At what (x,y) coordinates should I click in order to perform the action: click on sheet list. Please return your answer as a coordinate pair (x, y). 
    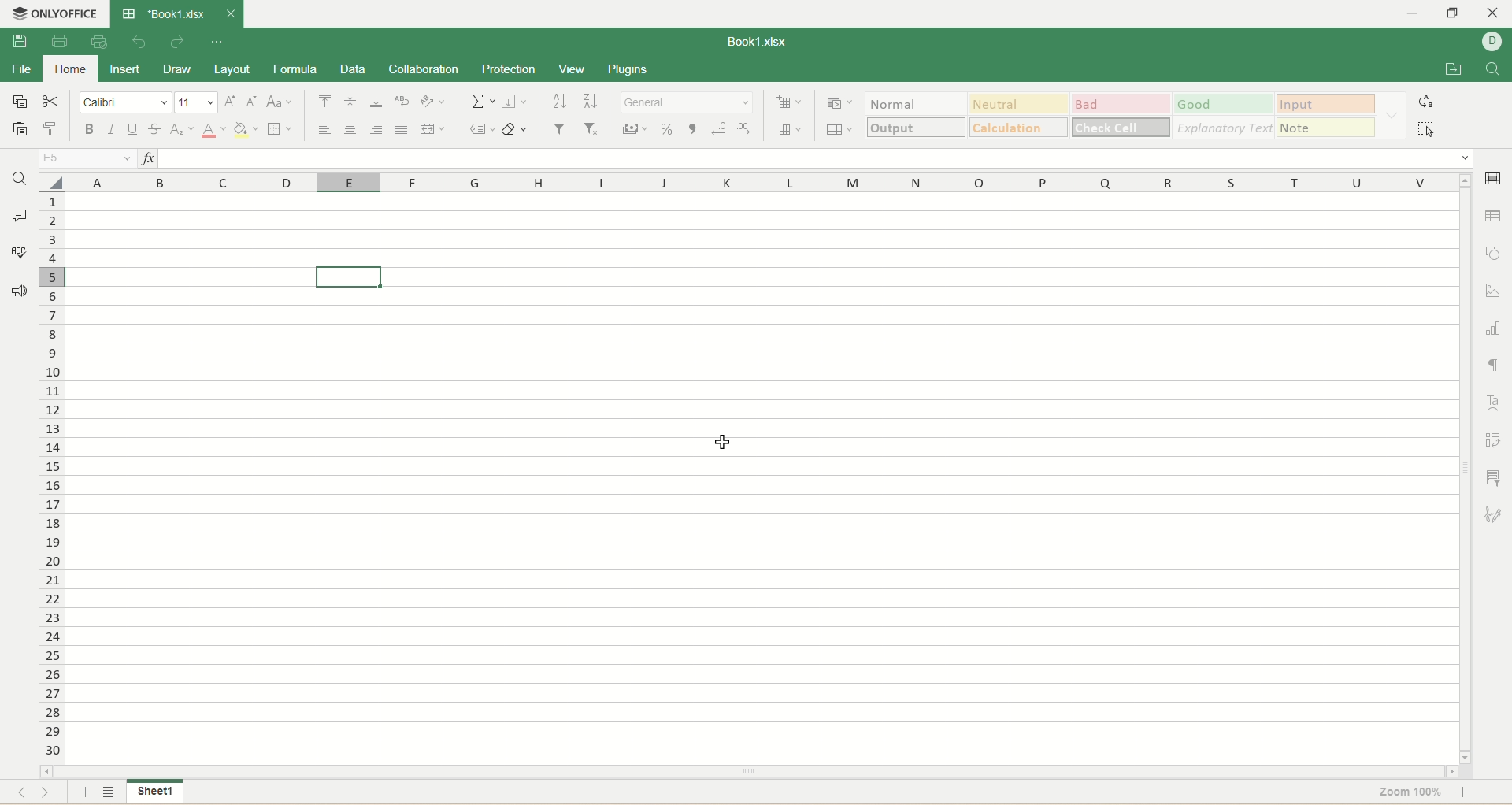
    Looking at the image, I should click on (112, 792).